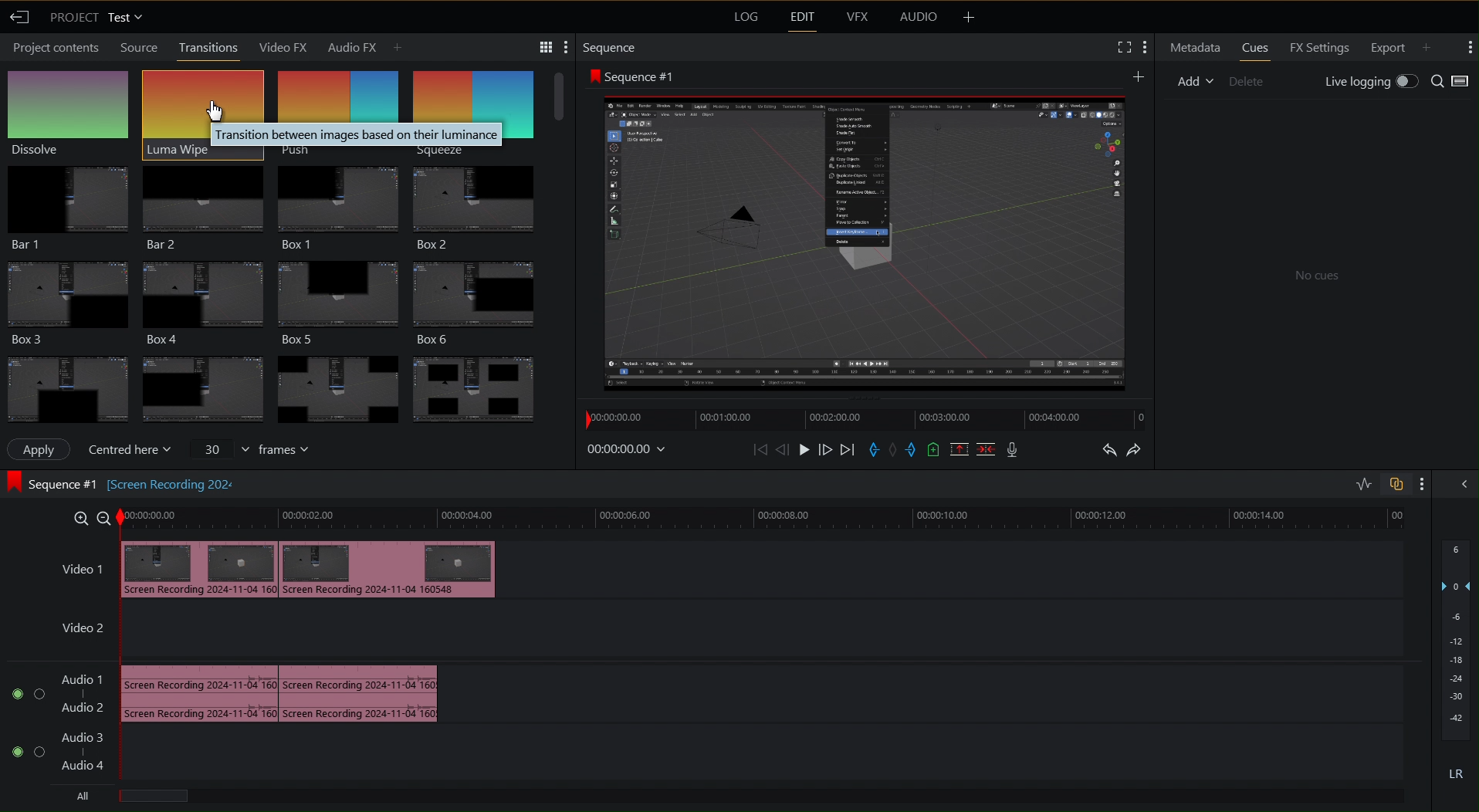 Image resolution: width=1479 pixels, height=812 pixels. Describe the element at coordinates (1320, 48) in the screenshot. I see `FX Settings` at that location.